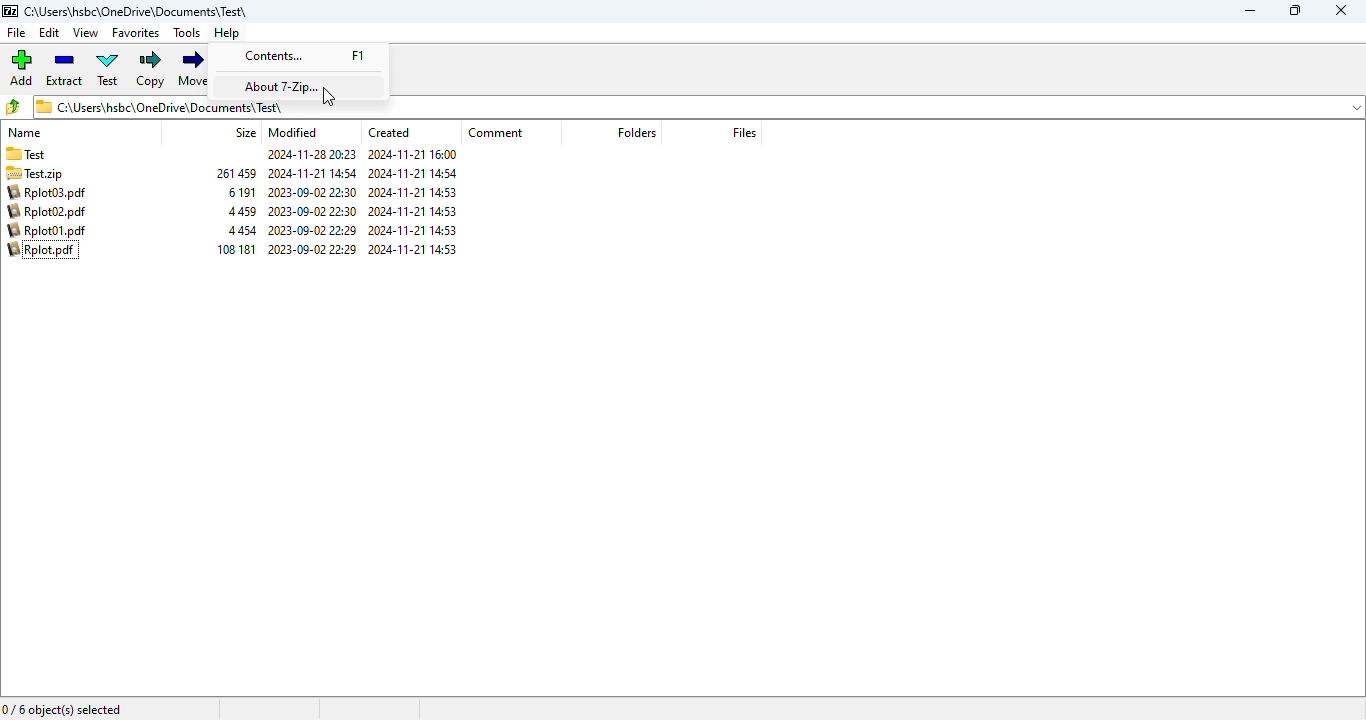 Image resolution: width=1366 pixels, height=720 pixels. I want to click on size, so click(245, 133).